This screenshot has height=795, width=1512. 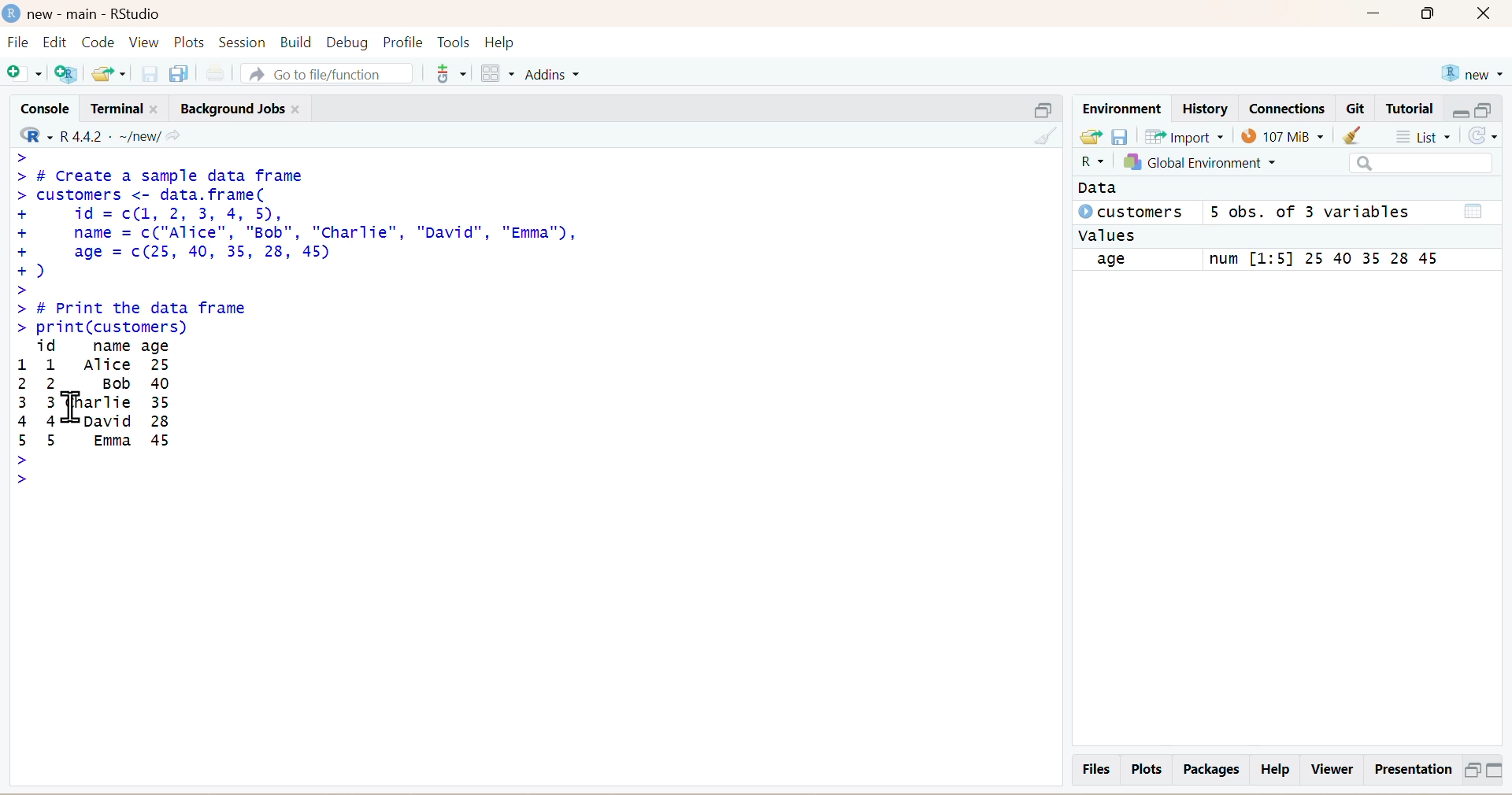 I want to click on Search bar, so click(x=1421, y=164).